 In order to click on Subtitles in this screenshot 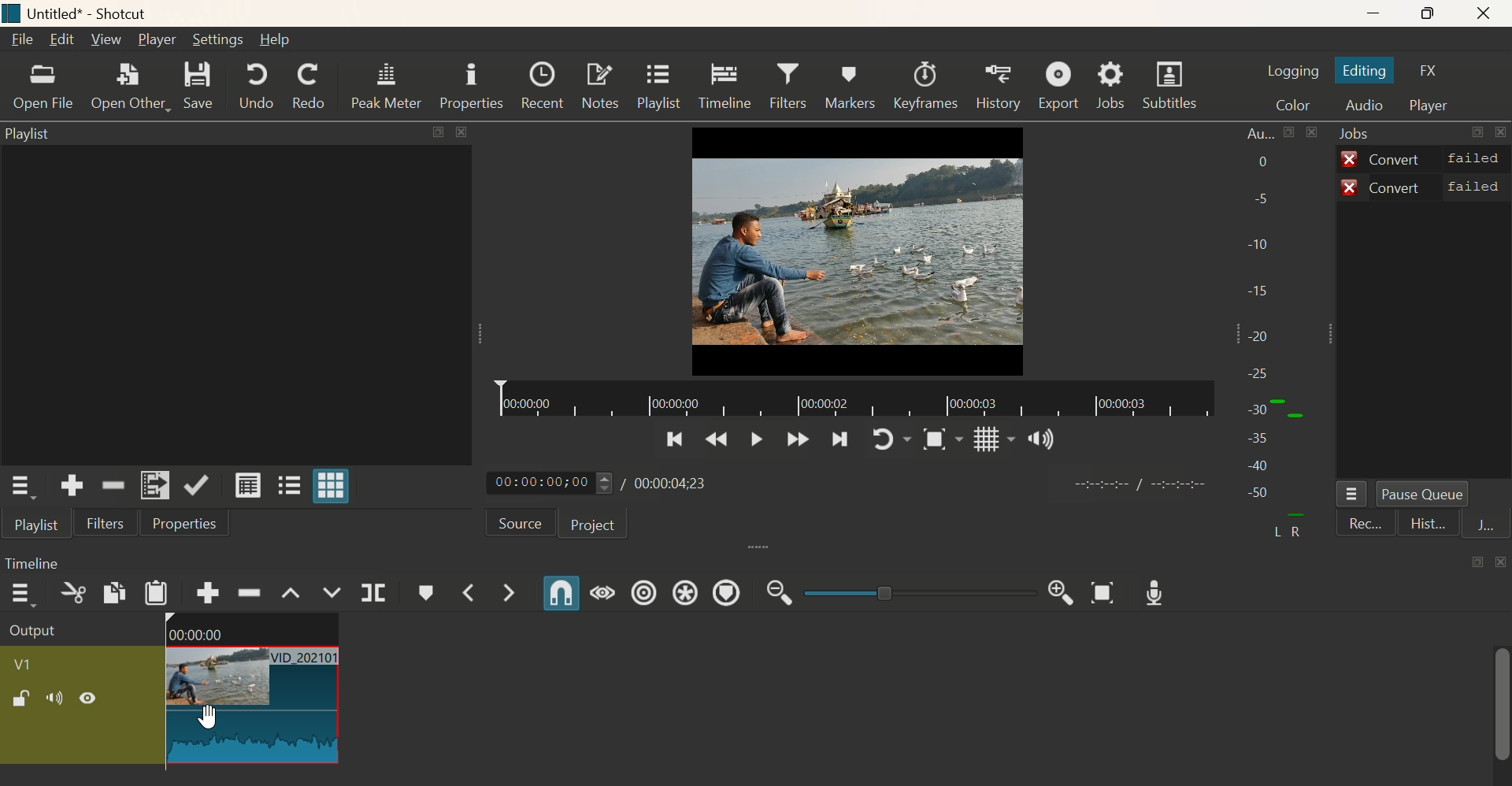, I will do `click(1174, 83)`.